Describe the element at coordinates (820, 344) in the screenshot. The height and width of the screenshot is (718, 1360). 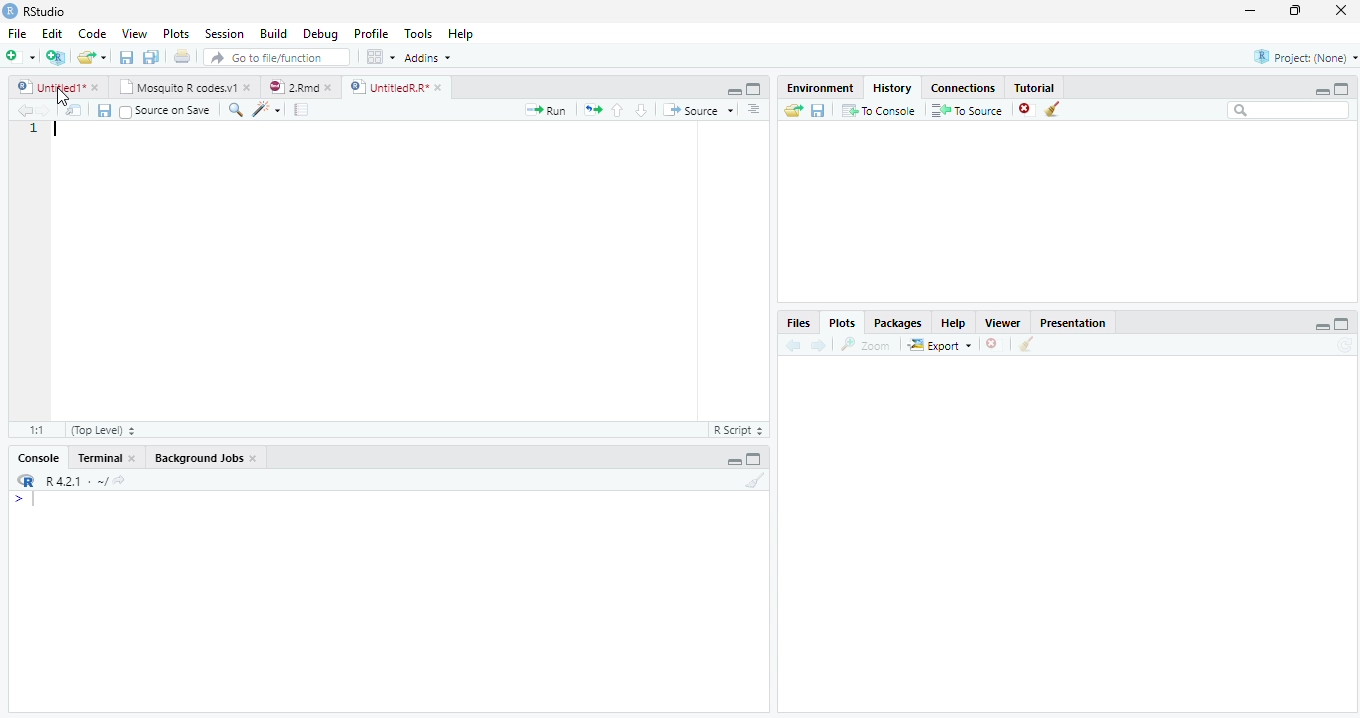
I see `Next` at that location.